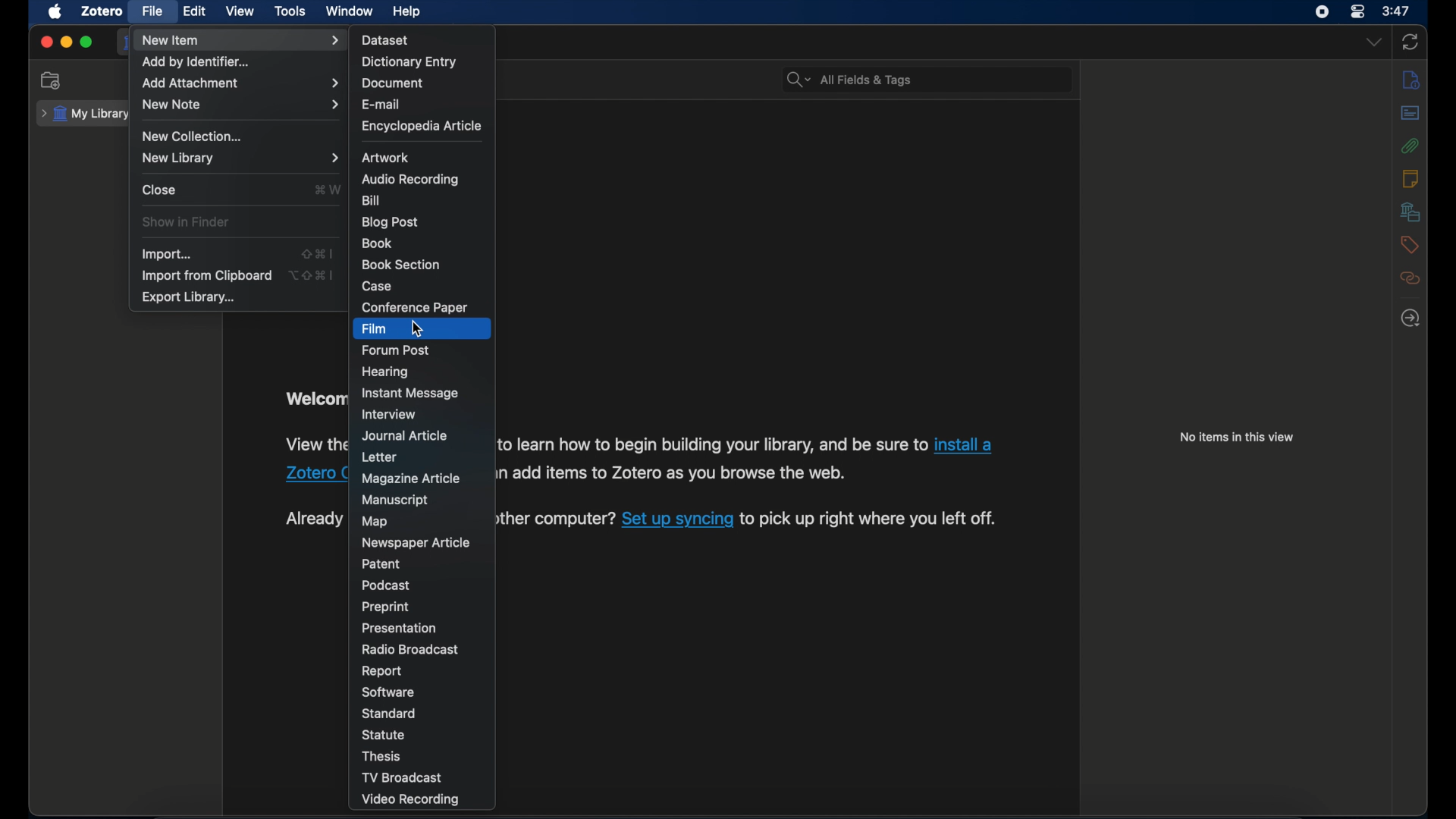 This screenshot has height=819, width=1456. I want to click on related, so click(1411, 278).